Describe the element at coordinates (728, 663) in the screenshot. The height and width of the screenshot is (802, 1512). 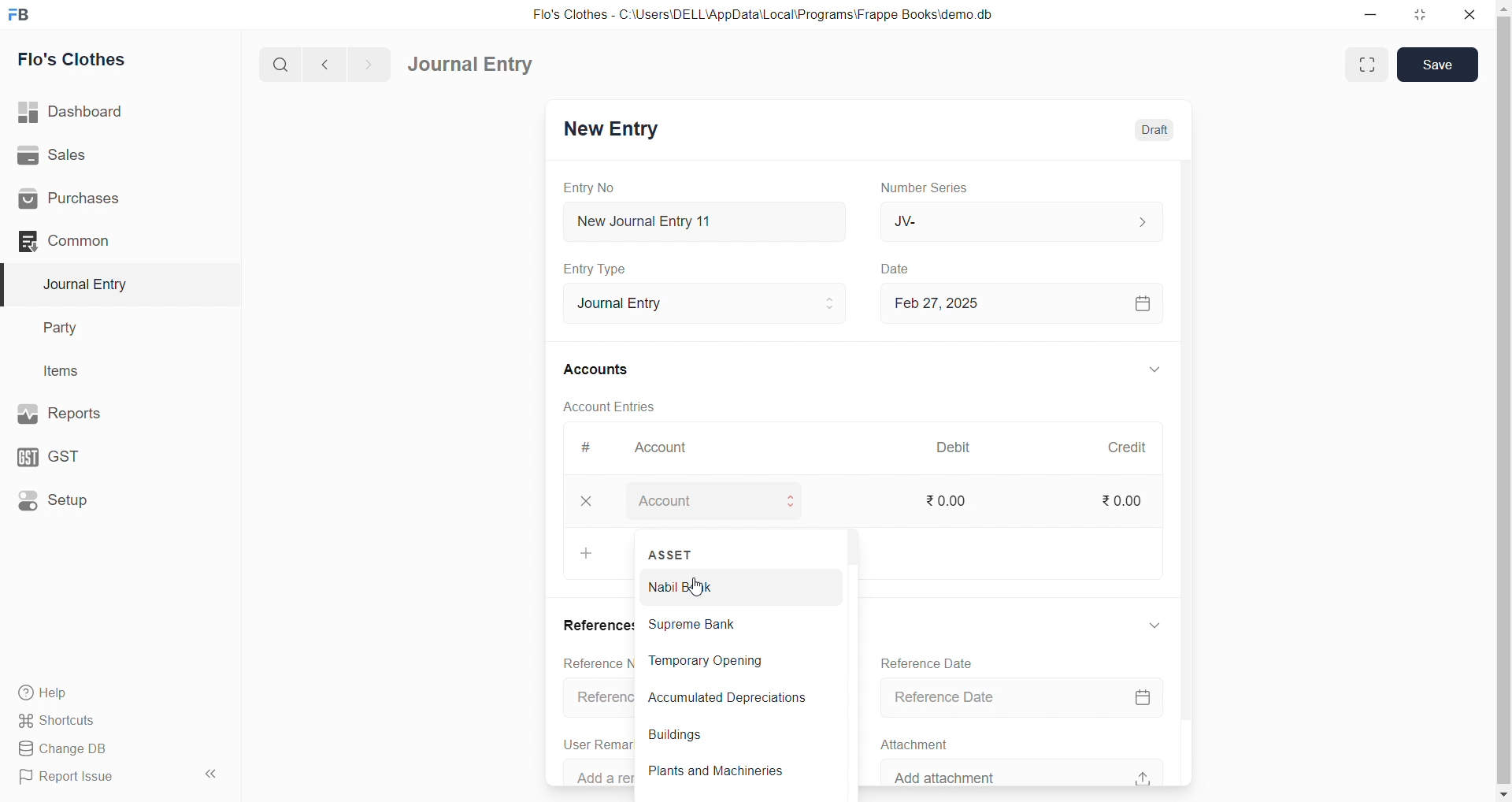
I see `Temporary Opening` at that location.